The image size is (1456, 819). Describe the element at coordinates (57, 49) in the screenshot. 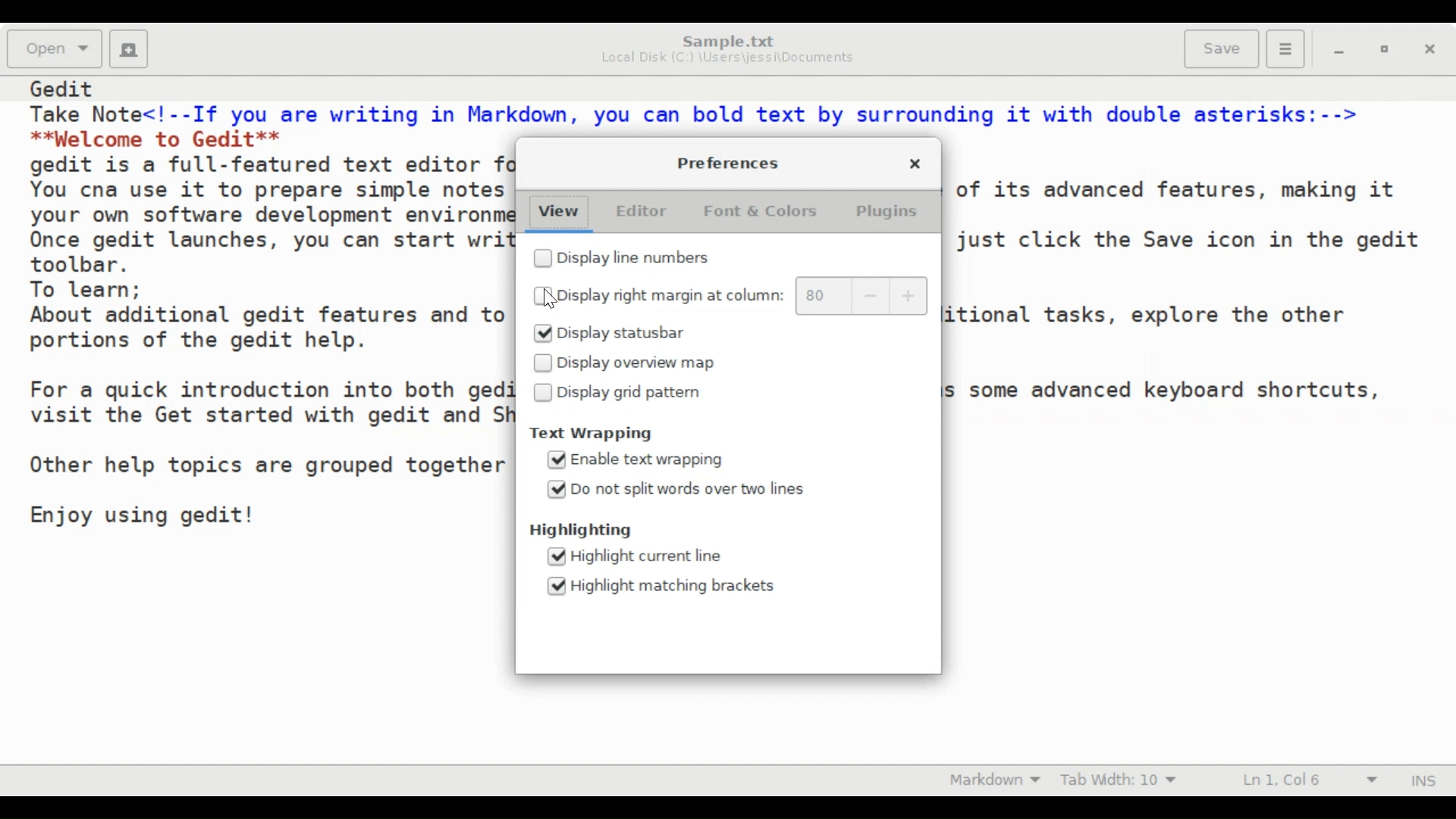

I see `Open` at that location.